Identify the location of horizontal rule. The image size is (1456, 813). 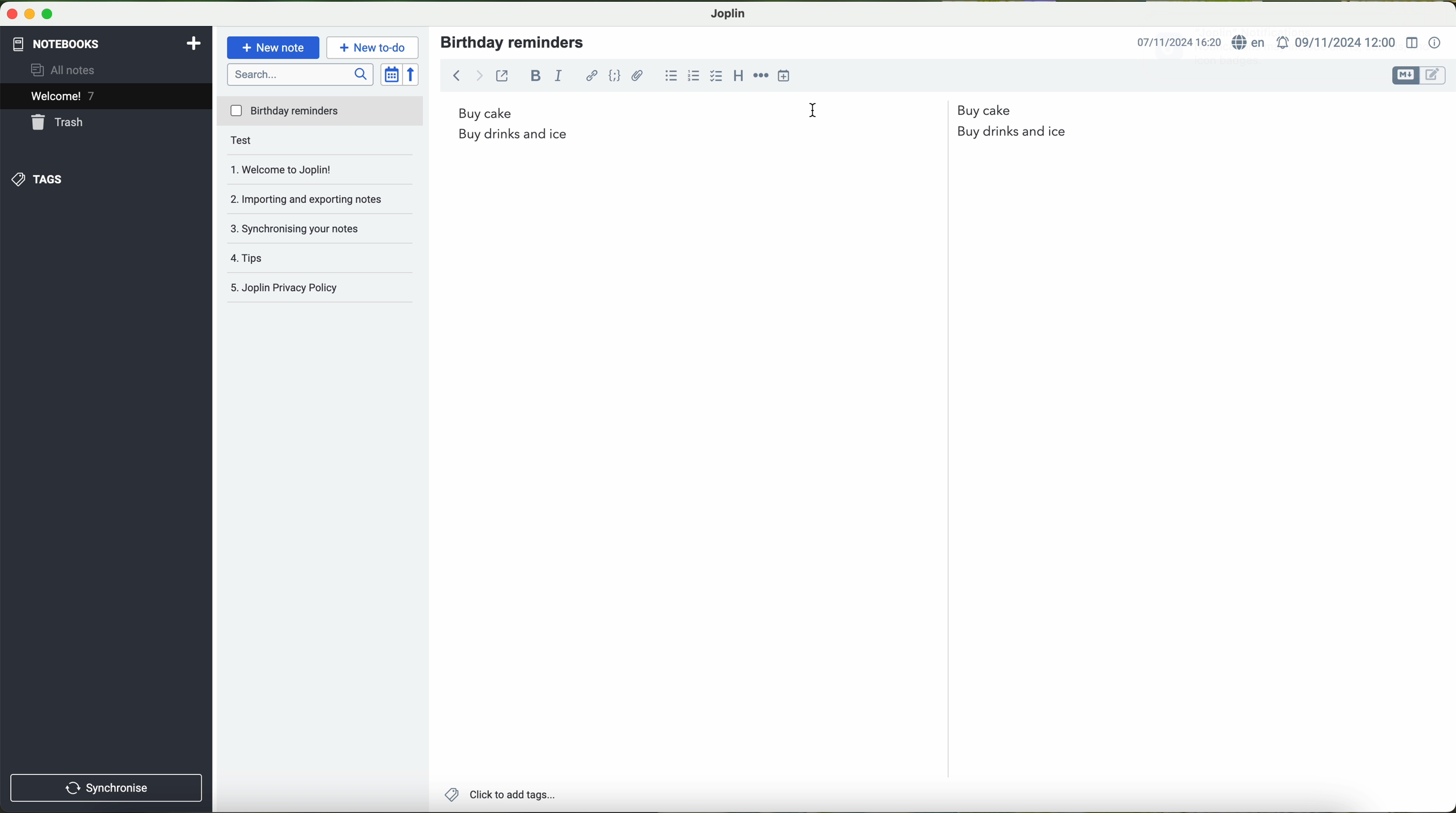
(761, 76).